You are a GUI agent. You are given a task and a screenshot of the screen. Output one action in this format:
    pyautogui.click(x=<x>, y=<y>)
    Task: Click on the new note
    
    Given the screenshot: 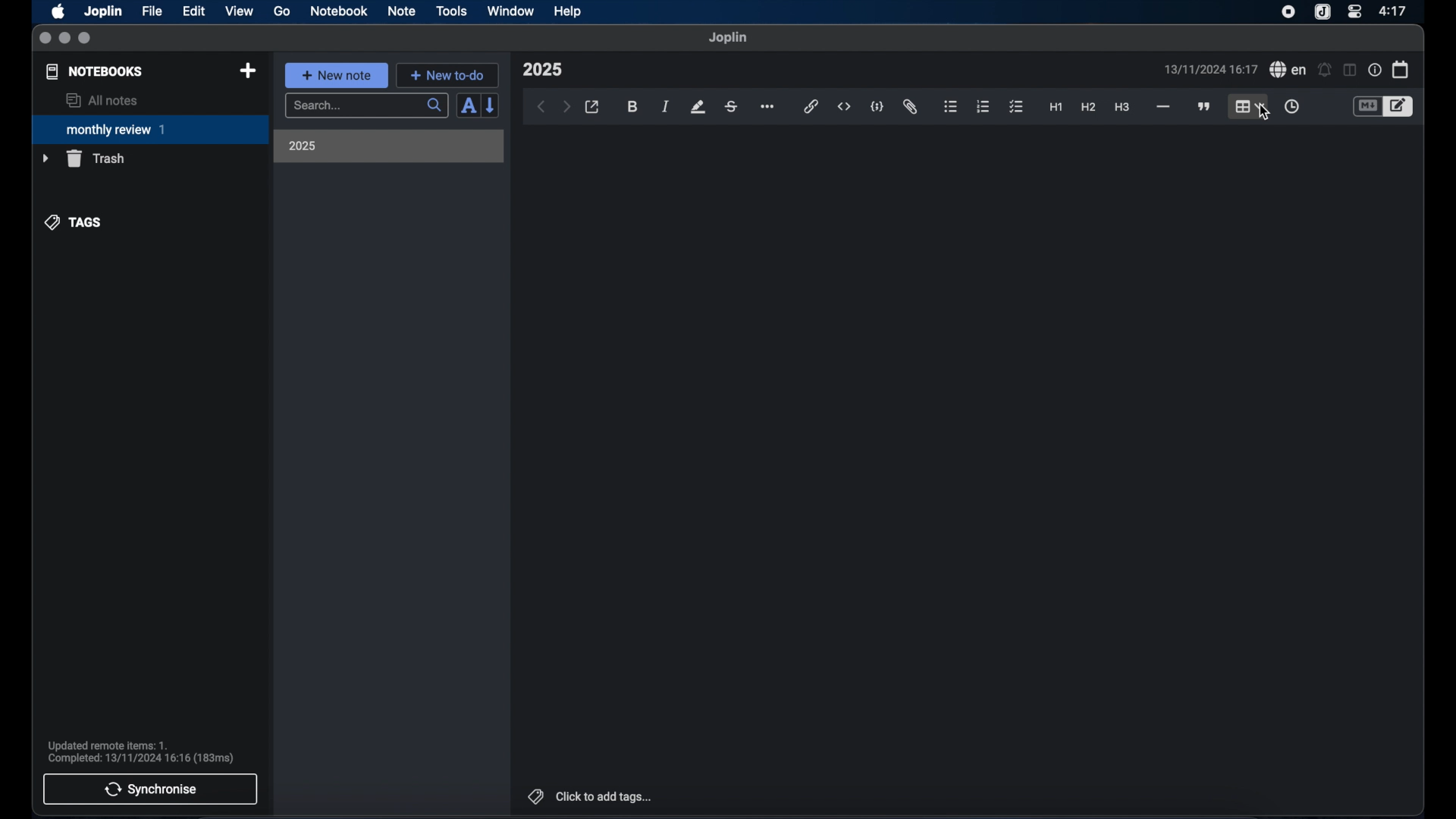 What is the action you would take?
    pyautogui.click(x=336, y=75)
    